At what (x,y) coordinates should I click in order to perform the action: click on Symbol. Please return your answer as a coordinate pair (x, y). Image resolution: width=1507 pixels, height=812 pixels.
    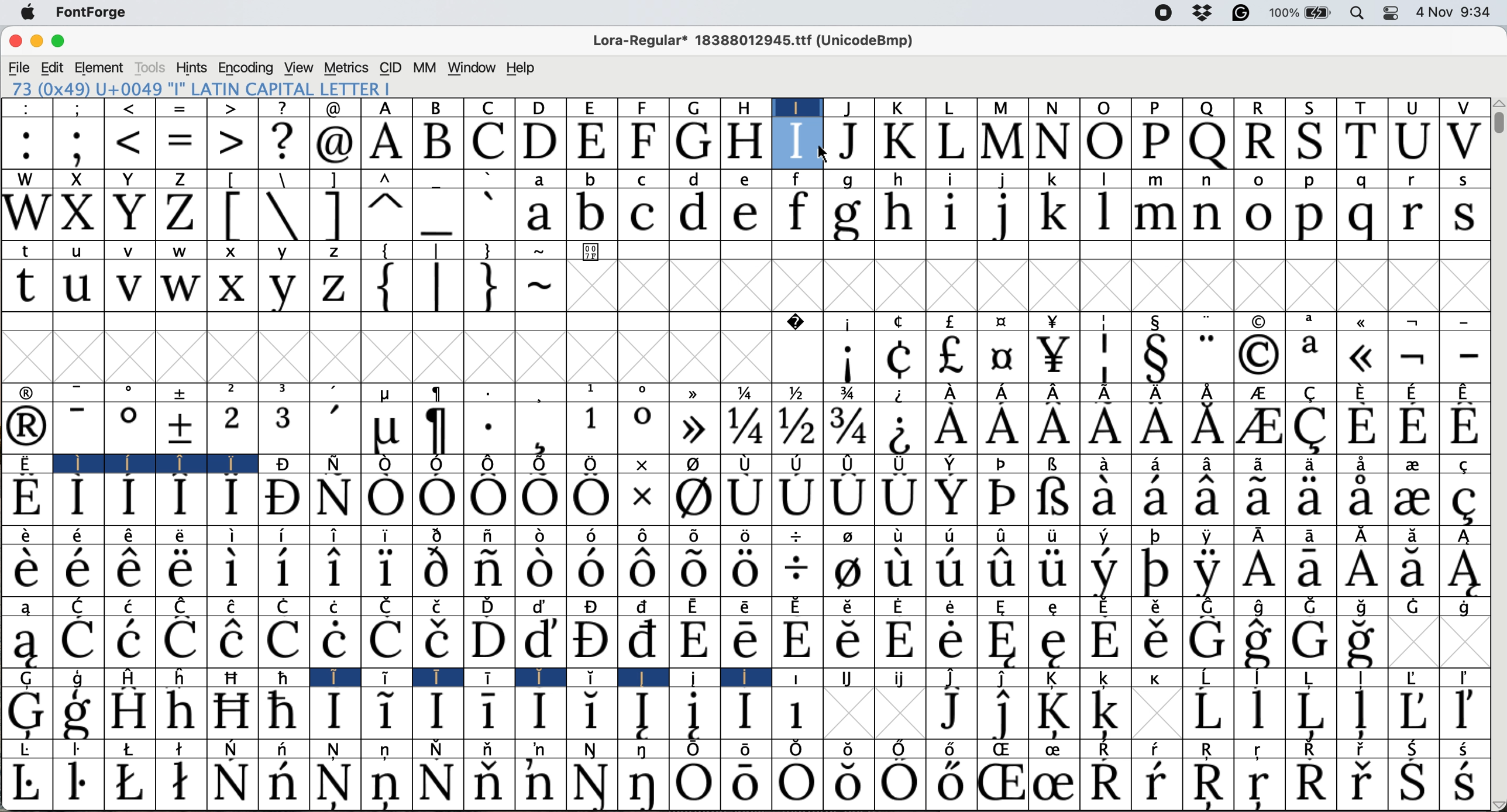
    Looking at the image, I should click on (1003, 427).